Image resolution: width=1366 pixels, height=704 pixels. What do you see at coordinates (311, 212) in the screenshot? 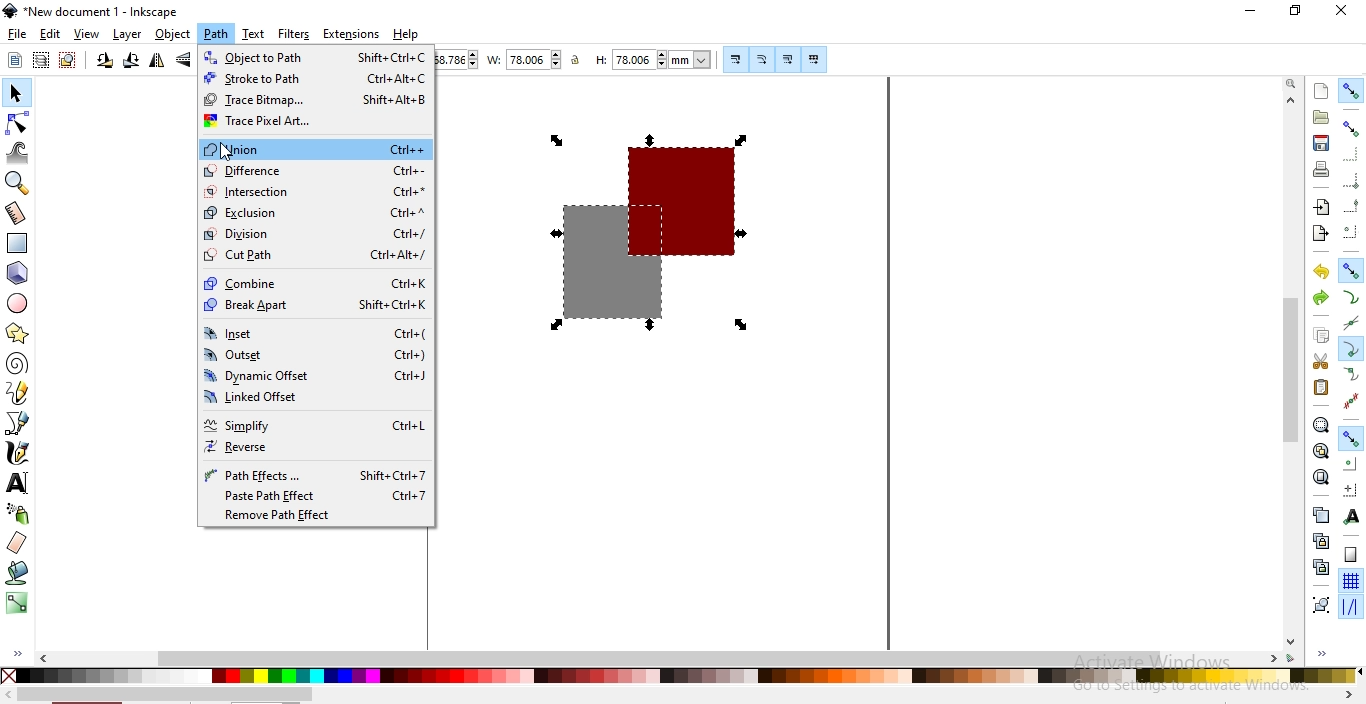
I see `exclusion` at bounding box center [311, 212].